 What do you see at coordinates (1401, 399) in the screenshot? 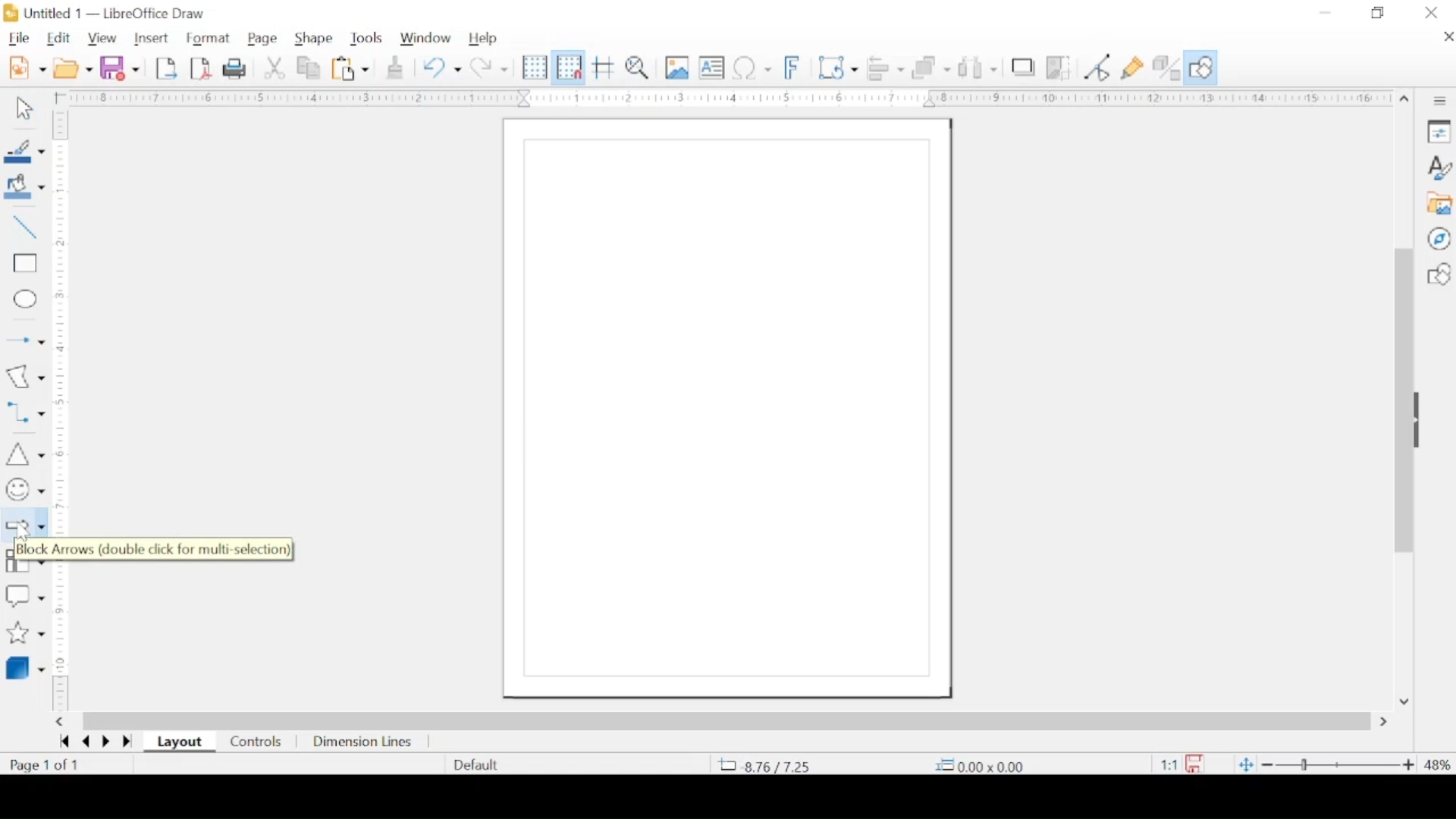
I see `scrolll box` at bounding box center [1401, 399].